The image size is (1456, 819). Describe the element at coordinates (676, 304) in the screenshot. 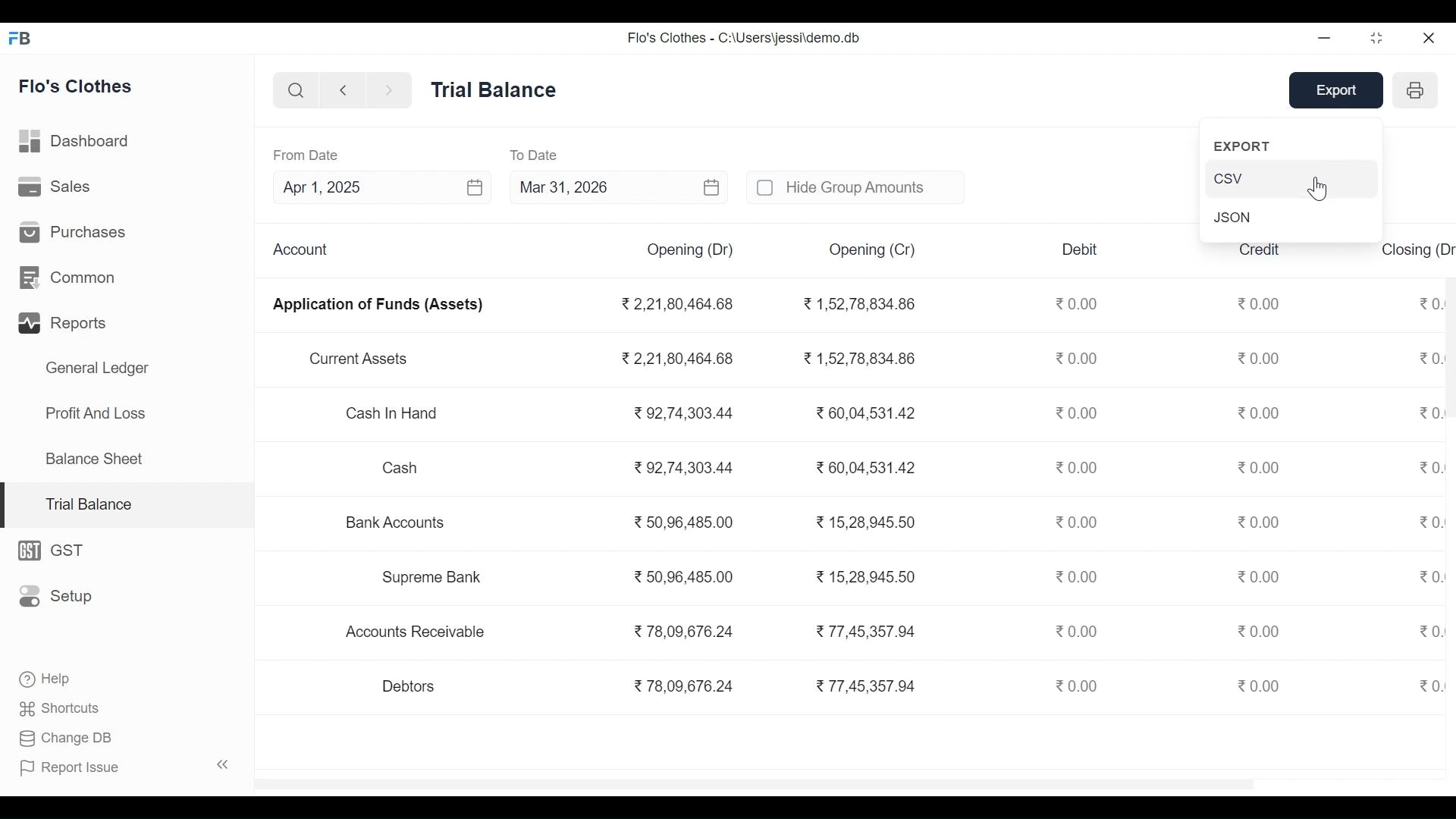

I see `2,21,80,464.68` at that location.